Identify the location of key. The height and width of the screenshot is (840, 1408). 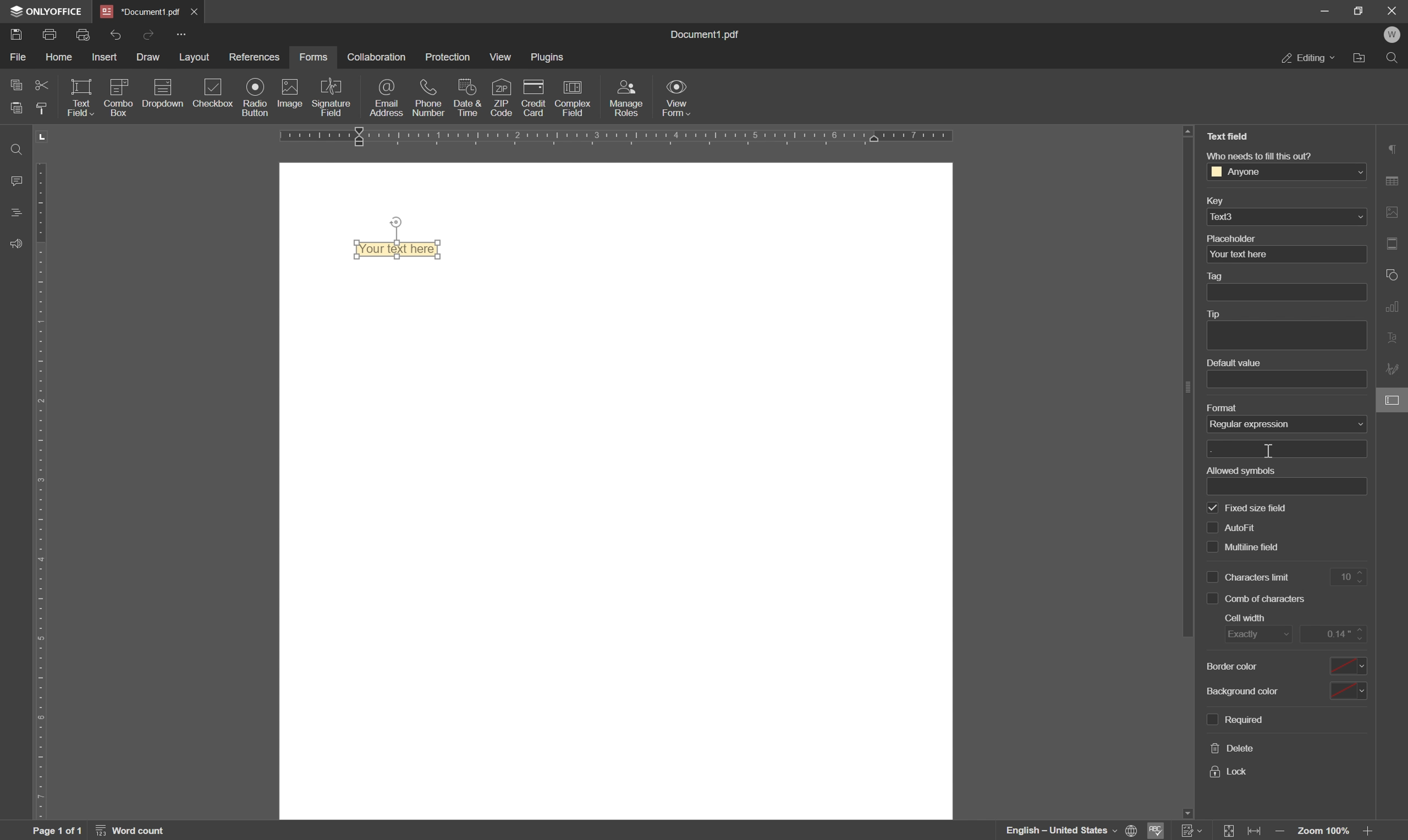
(1213, 202).